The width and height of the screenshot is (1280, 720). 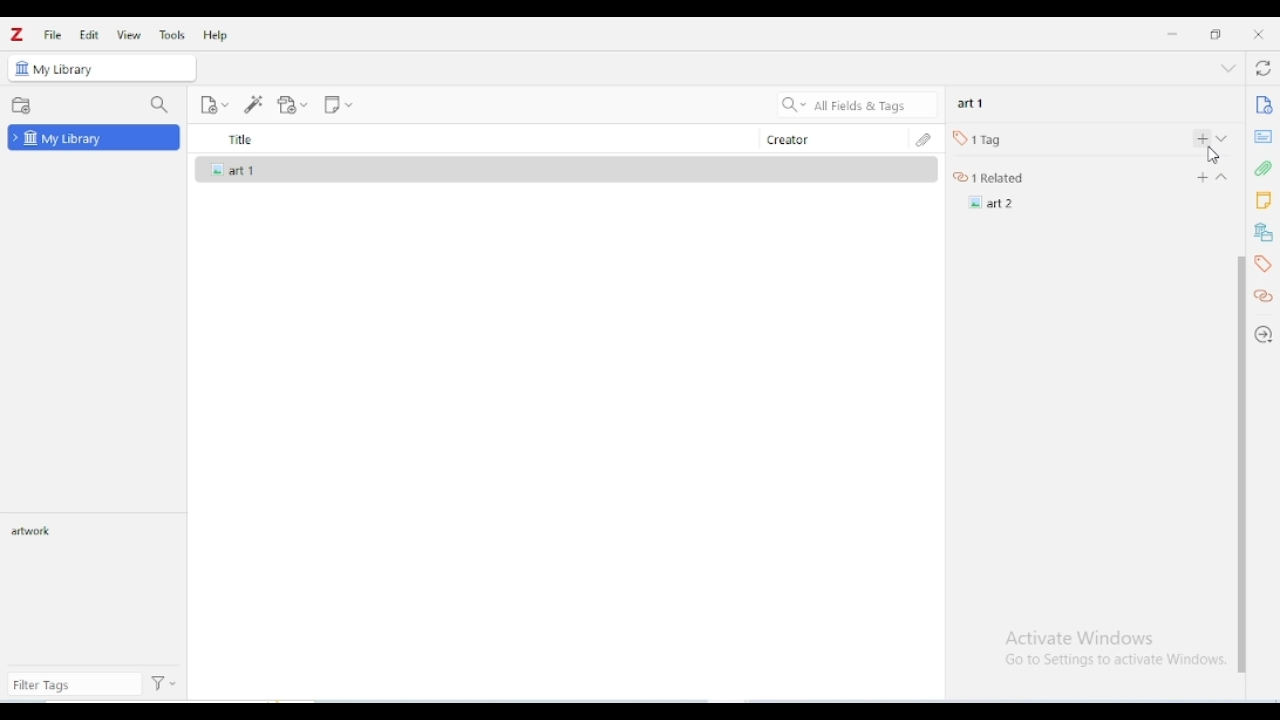 I want to click on notes, so click(x=1263, y=200).